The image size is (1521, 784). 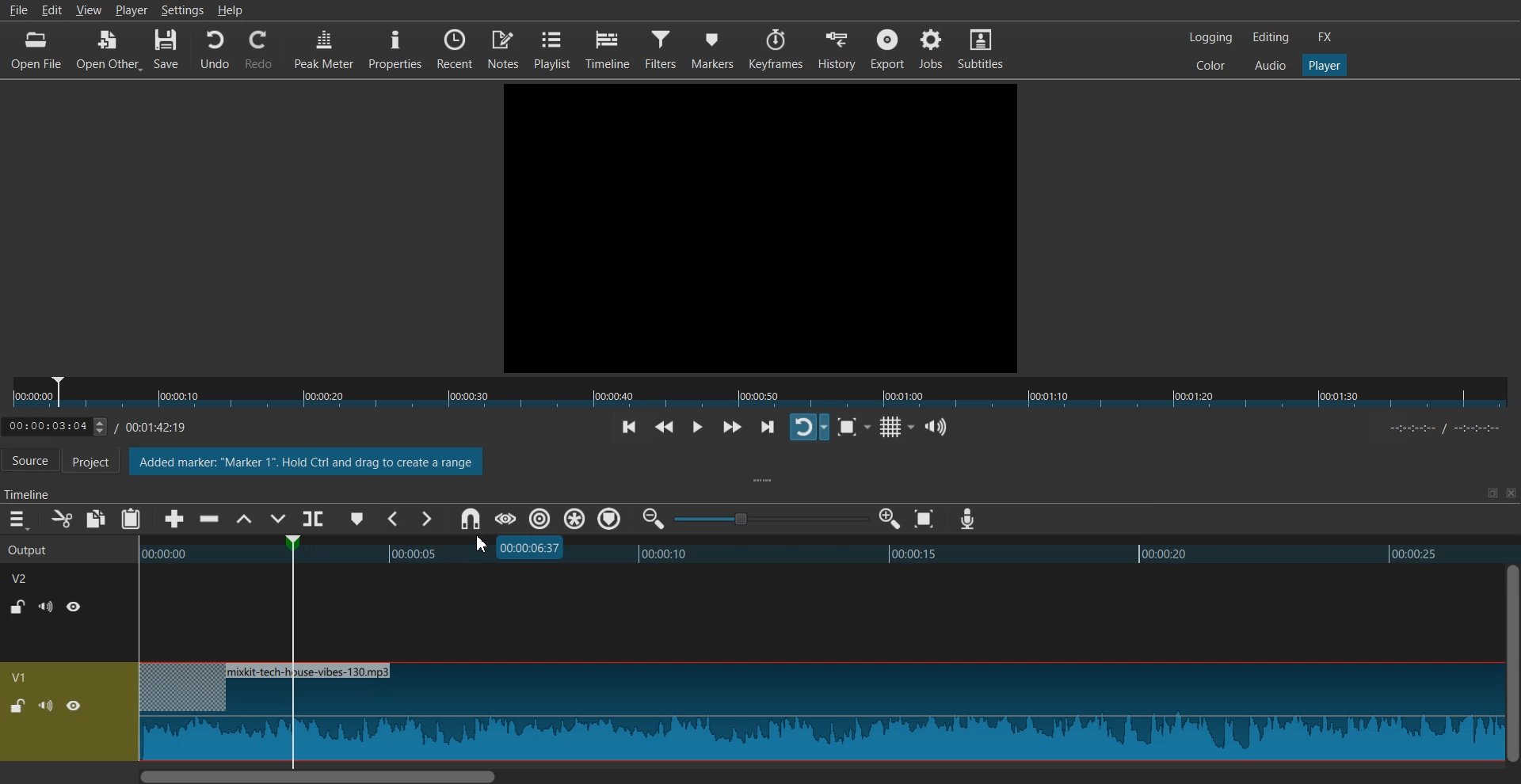 I want to click on Zoom timeline to Fit, so click(x=924, y=519).